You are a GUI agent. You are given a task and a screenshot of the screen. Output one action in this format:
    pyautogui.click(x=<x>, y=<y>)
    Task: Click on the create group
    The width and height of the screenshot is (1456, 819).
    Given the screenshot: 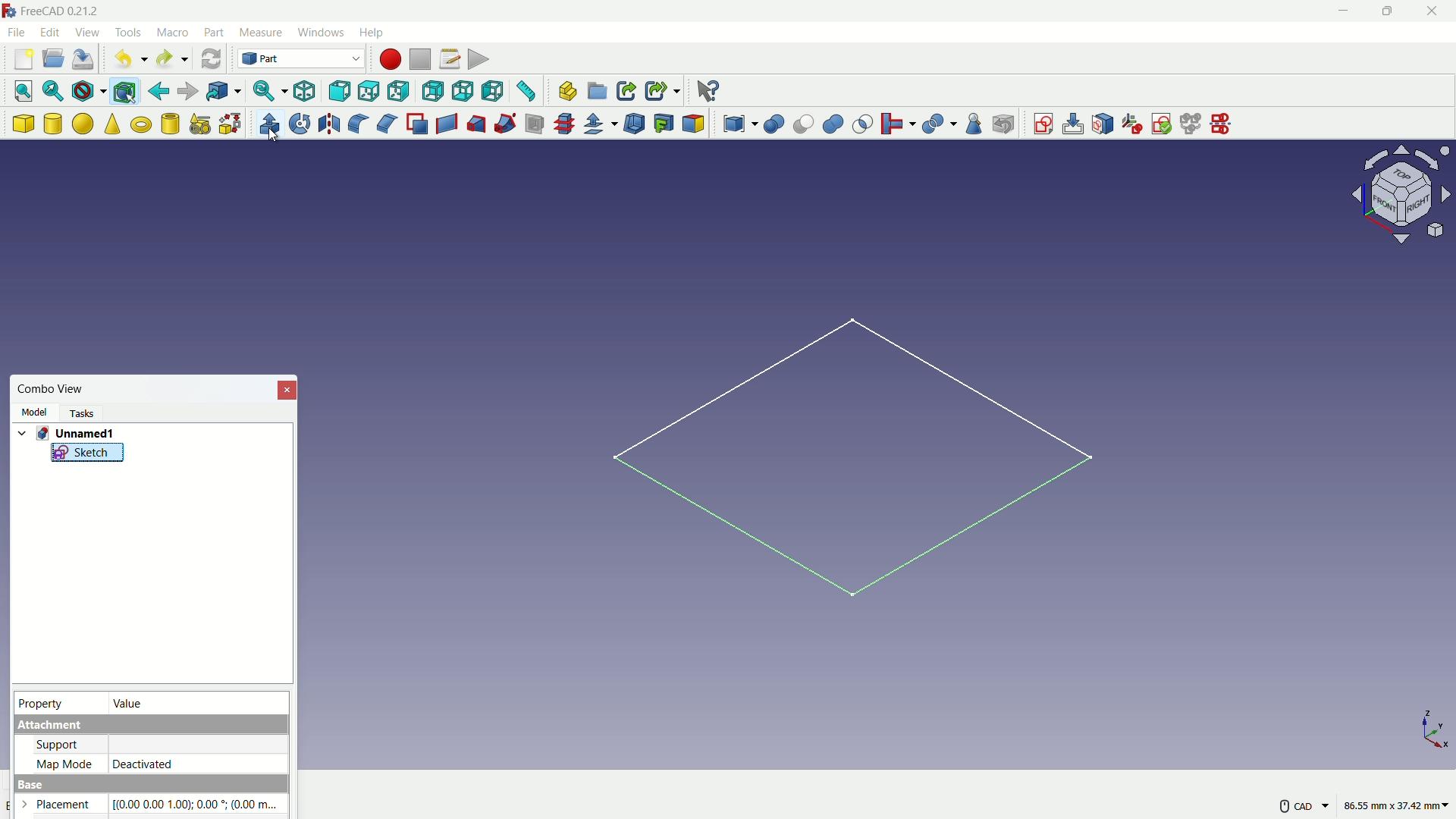 What is the action you would take?
    pyautogui.click(x=598, y=92)
    